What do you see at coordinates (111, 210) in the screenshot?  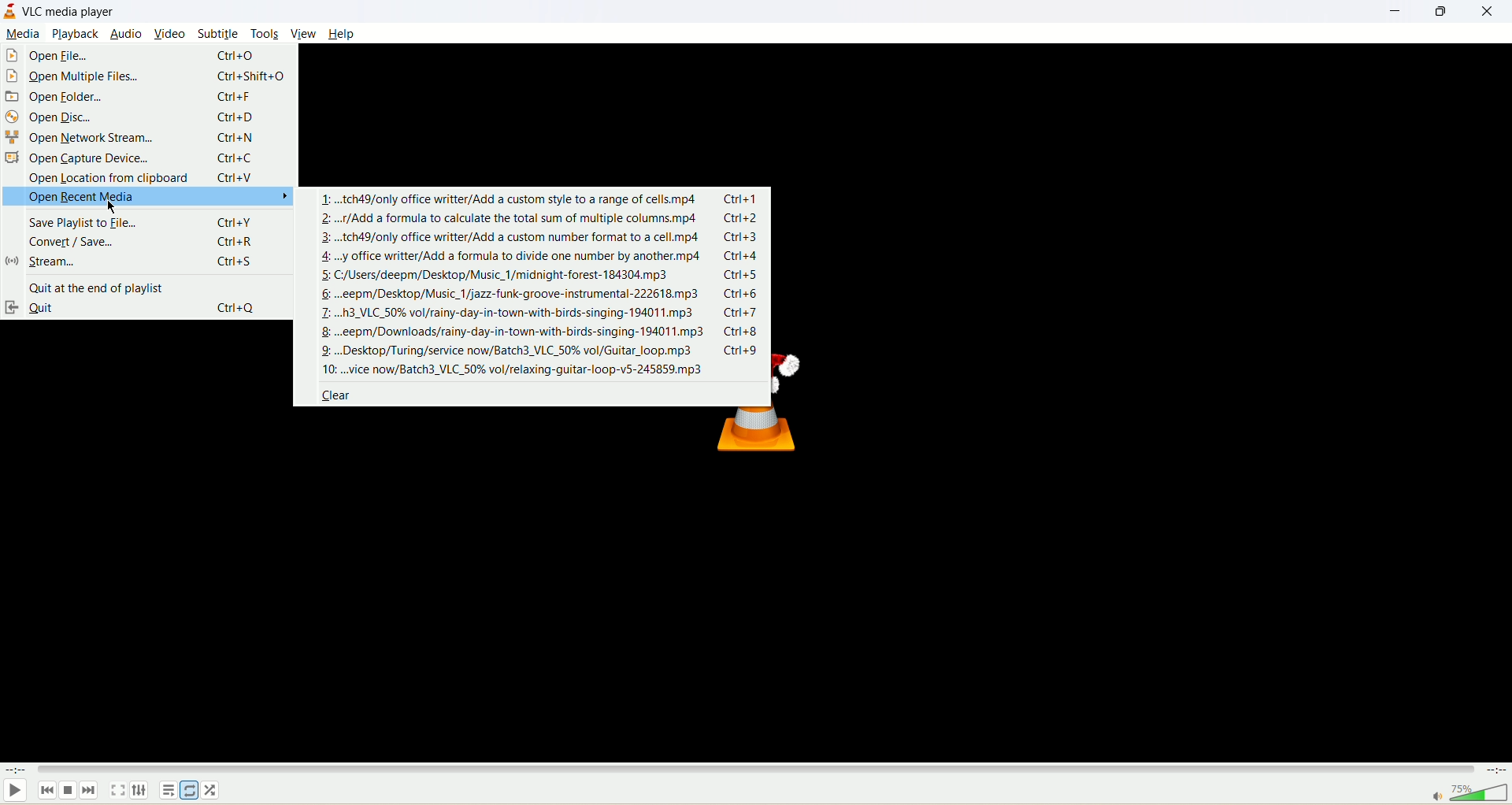 I see `cursor` at bounding box center [111, 210].